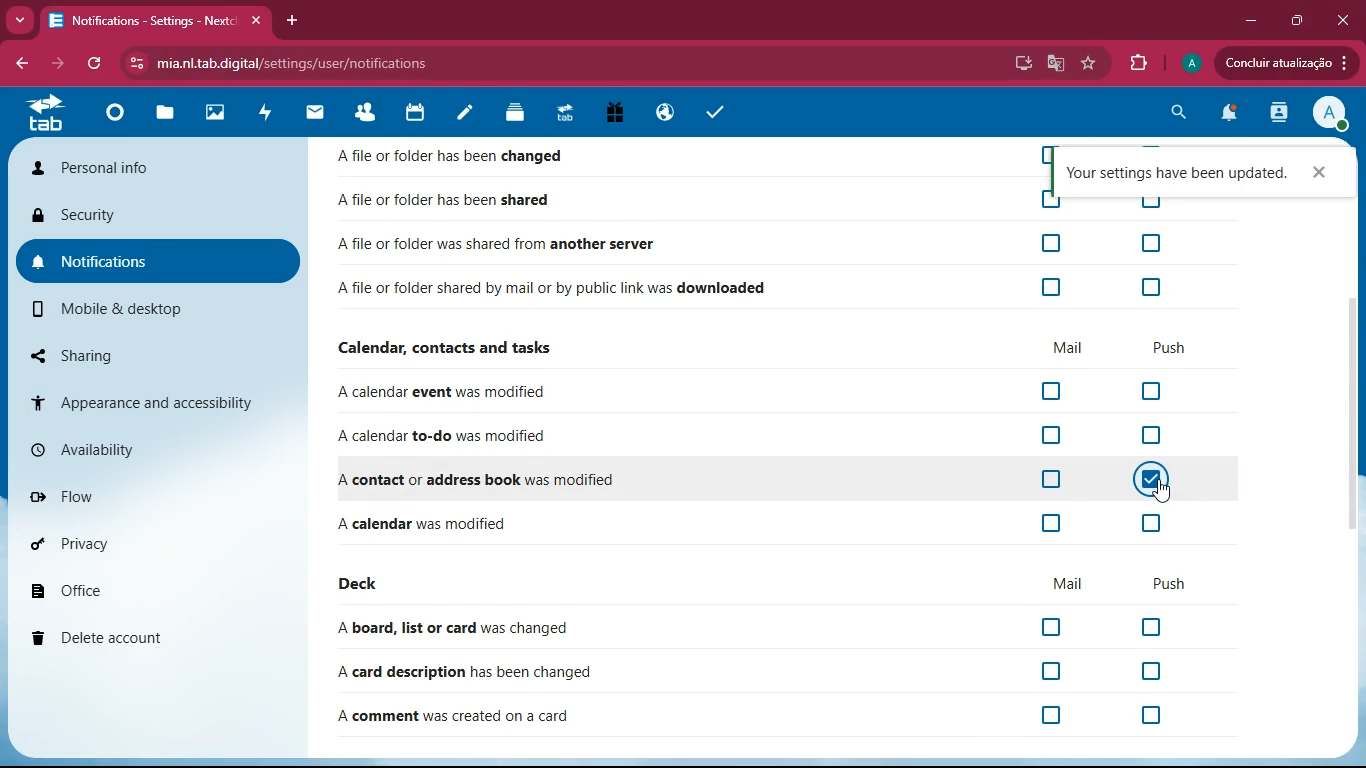 The image size is (1366, 768). Describe the element at coordinates (562, 291) in the screenshot. I see `Afile or folder shared by mail or by public link was downloaded` at that location.